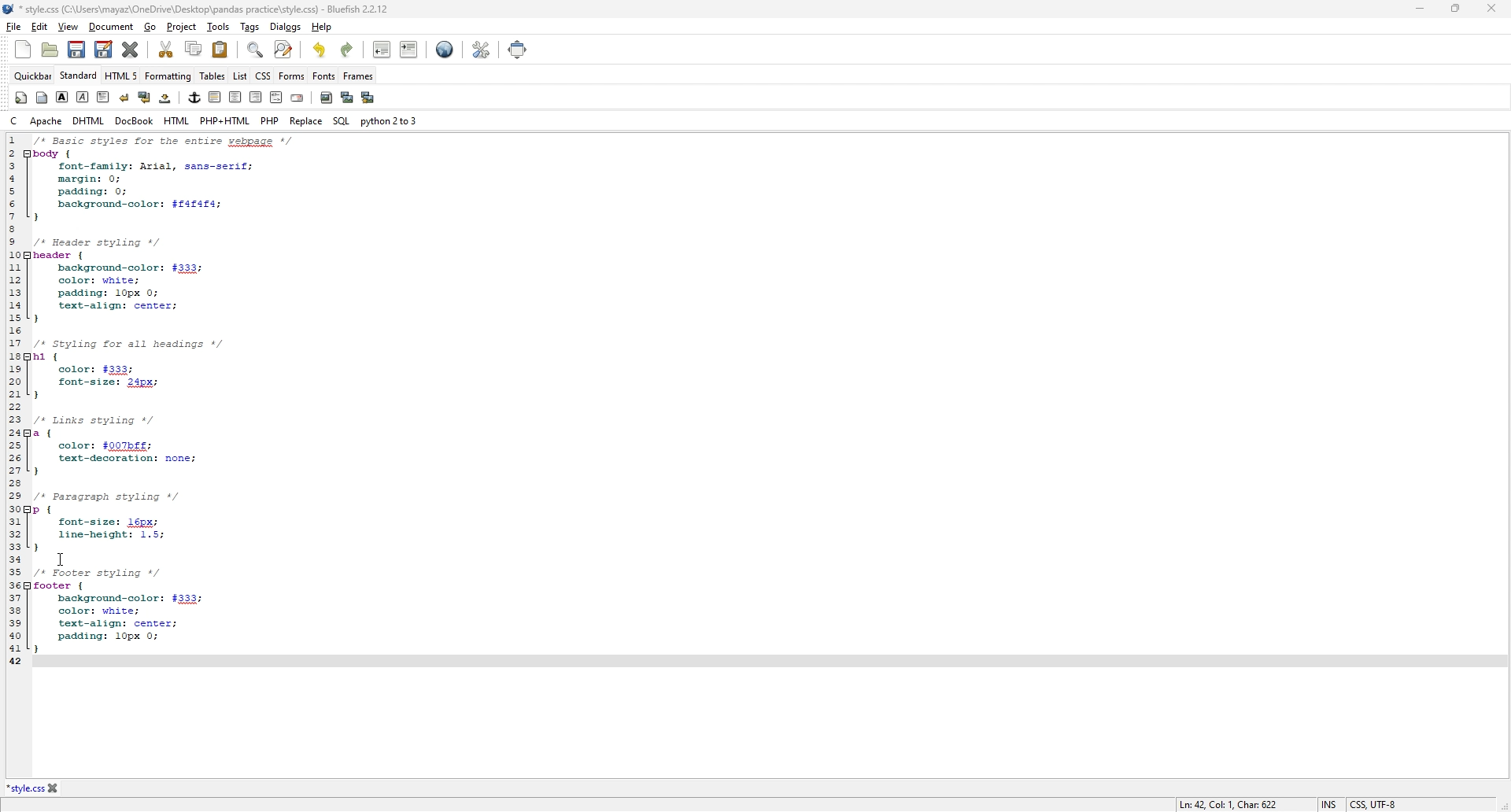 The width and height of the screenshot is (1511, 812). What do you see at coordinates (323, 27) in the screenshot?
I see `help` at bounding box center [323, 27].